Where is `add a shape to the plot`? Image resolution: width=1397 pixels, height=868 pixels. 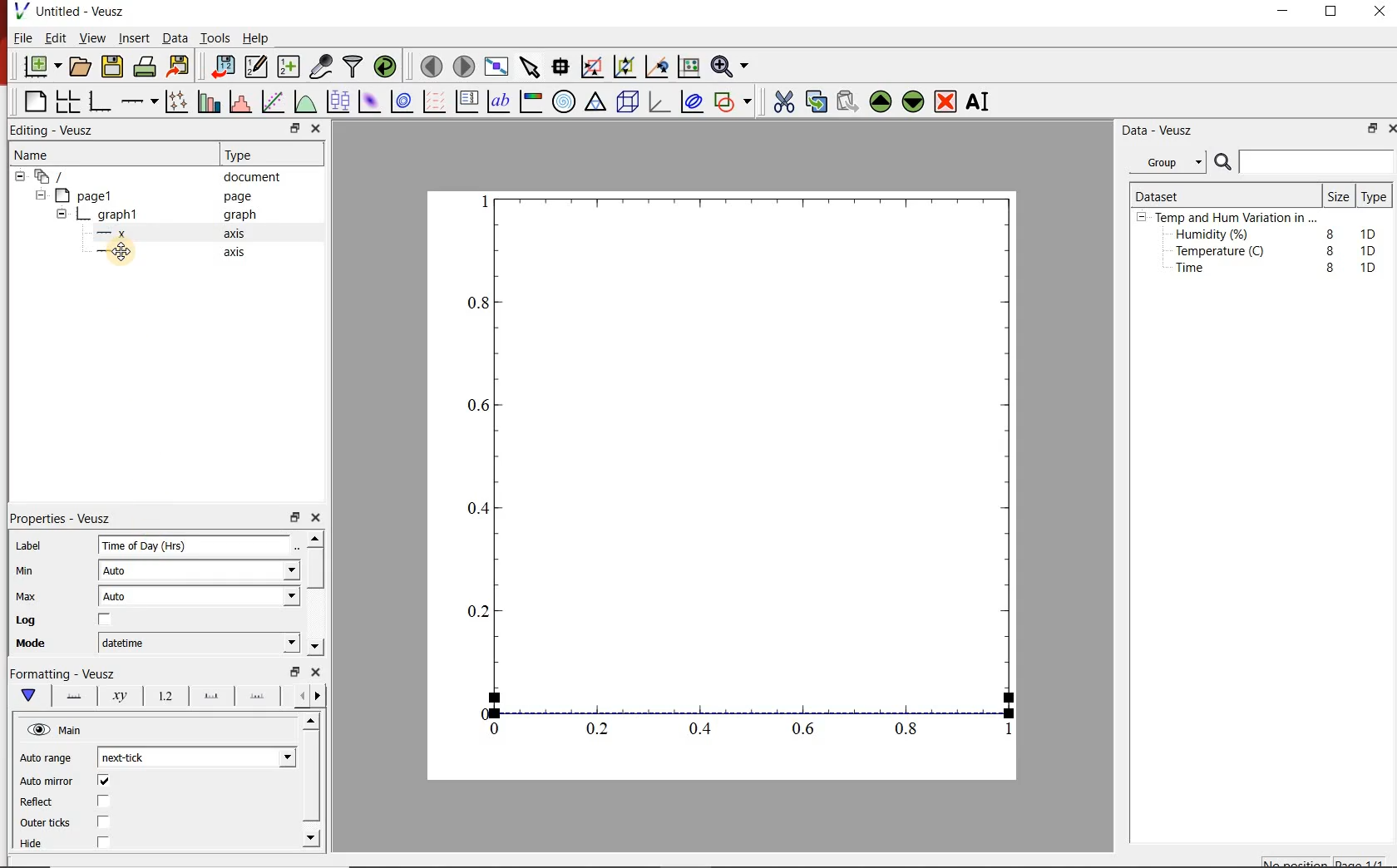 add a shape to the plot is located at coordinates (737, 104).